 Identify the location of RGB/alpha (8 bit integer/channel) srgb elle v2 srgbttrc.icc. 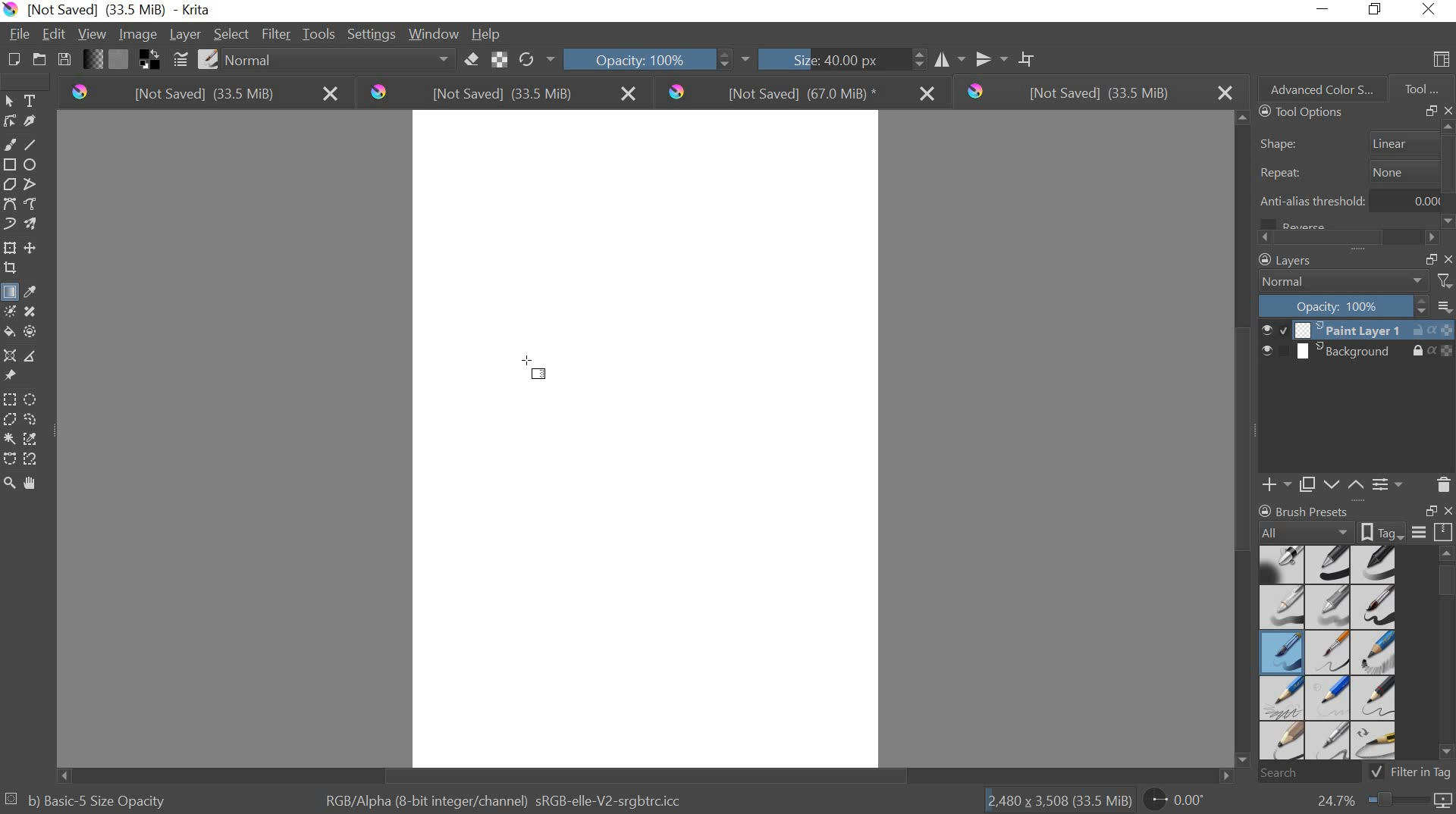
(505, 797).